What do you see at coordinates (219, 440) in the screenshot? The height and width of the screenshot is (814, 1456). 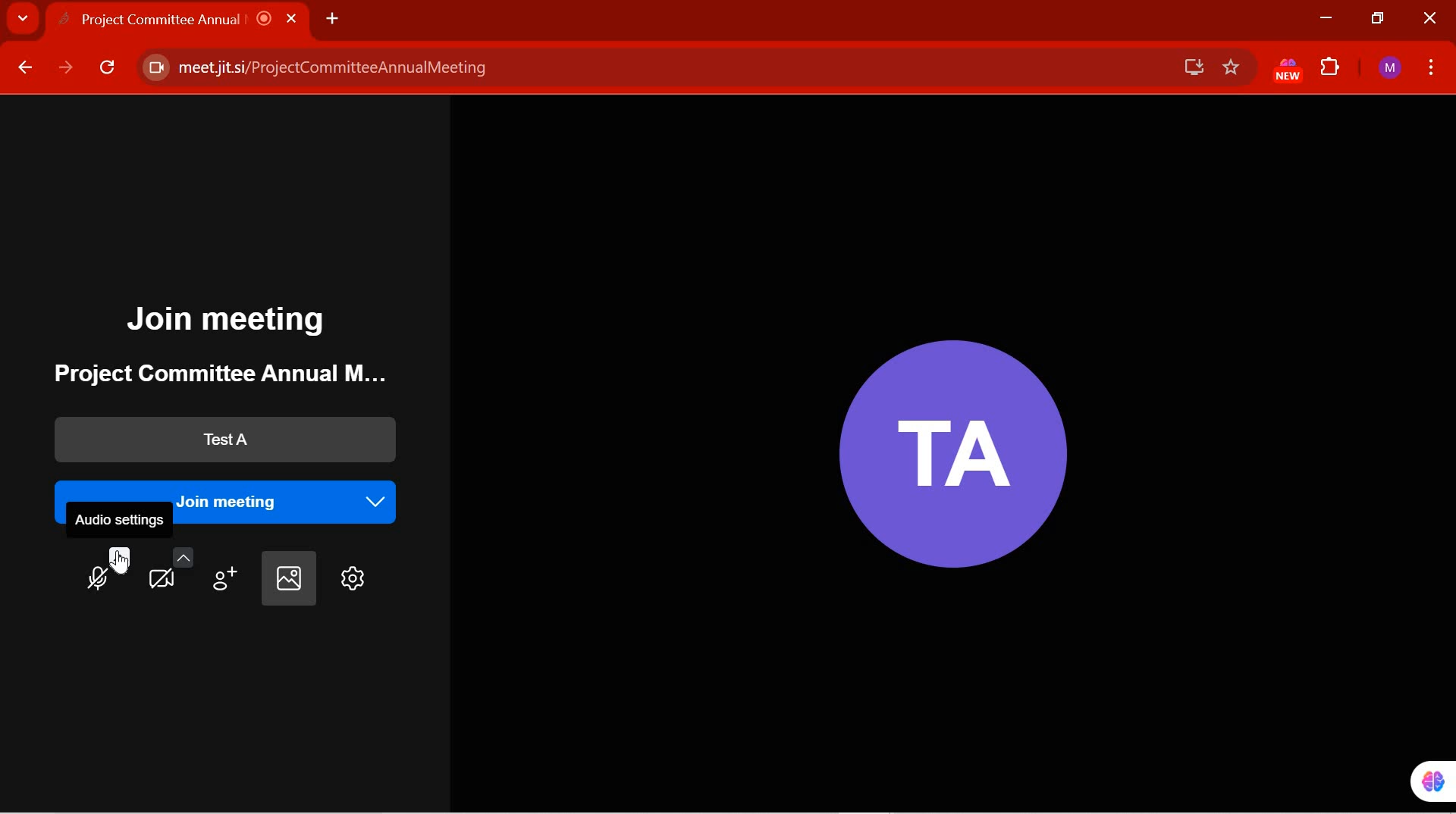 I see `Test A` at bounding box center [219, 440].